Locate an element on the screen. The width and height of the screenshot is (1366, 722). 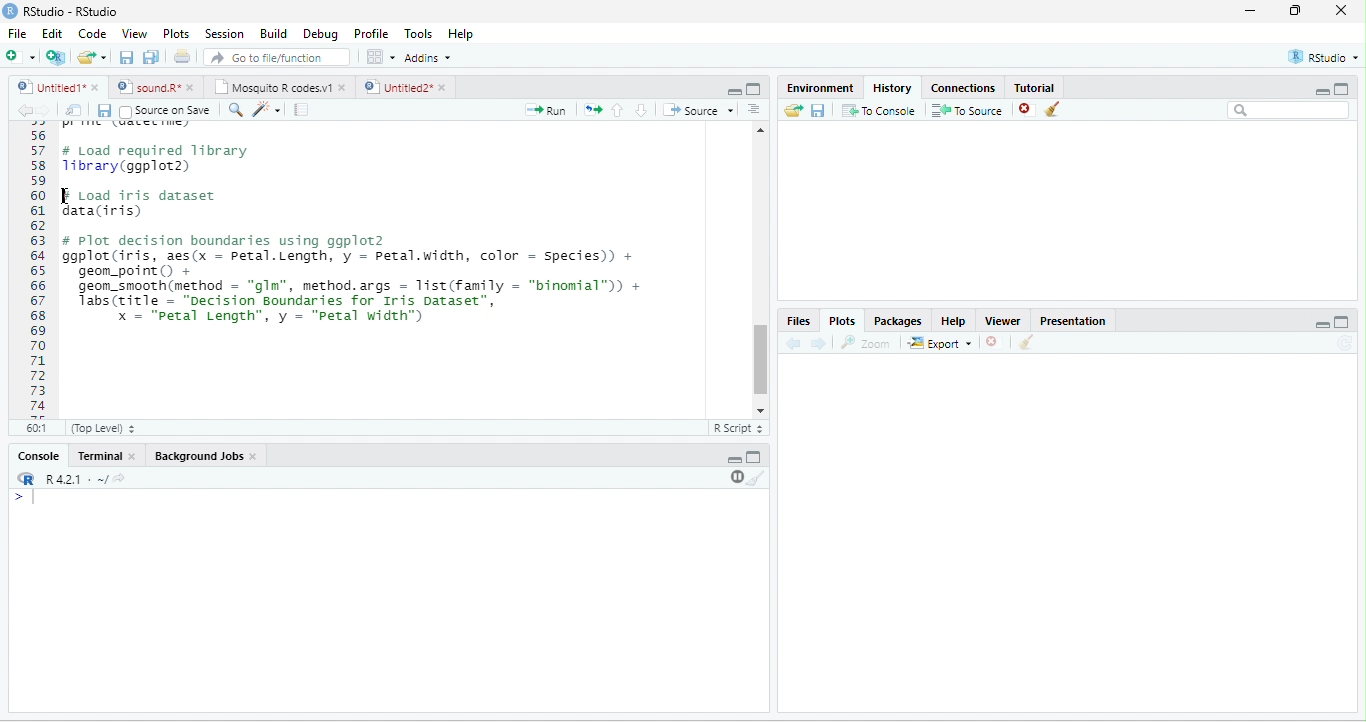
RStudio is located at coordinates (1324, 57).